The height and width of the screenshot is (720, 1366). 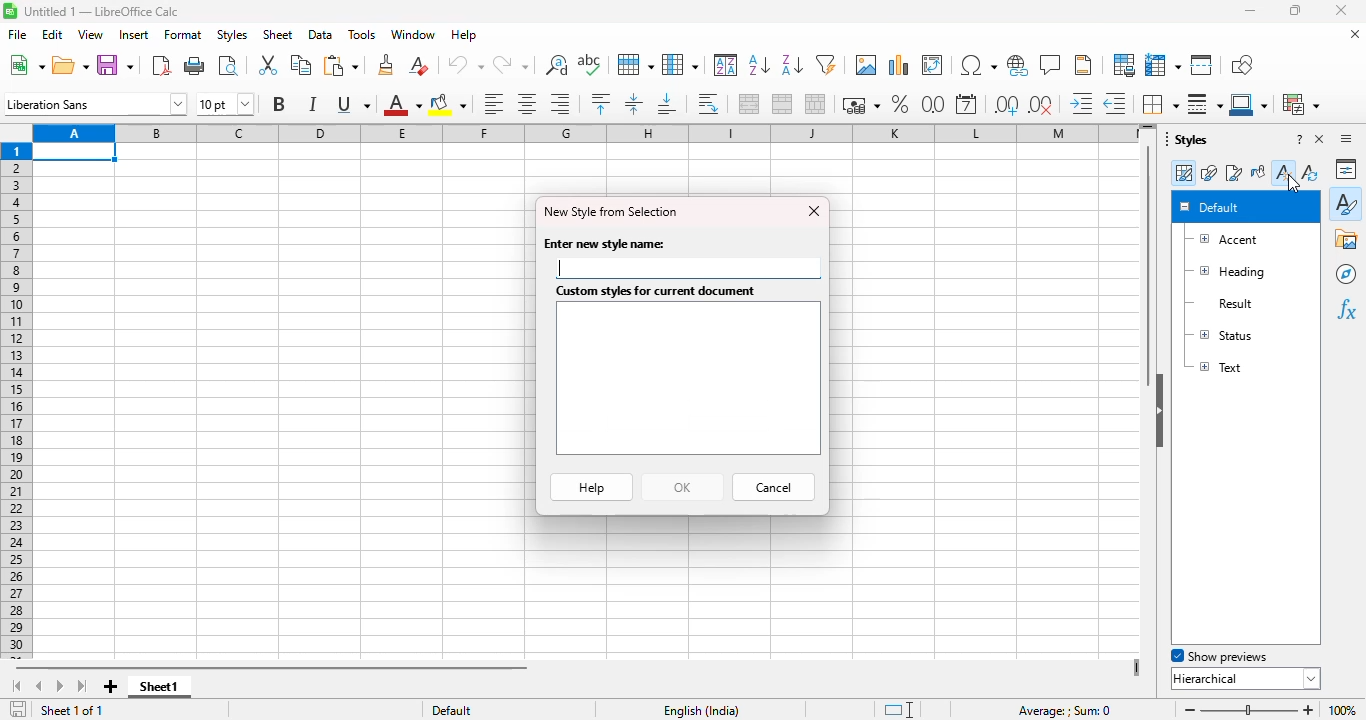 What do you see at coordinates (1163, 65) in the screenshot?
I see `freeze rows and columns` at bounding box center [1163, 65].